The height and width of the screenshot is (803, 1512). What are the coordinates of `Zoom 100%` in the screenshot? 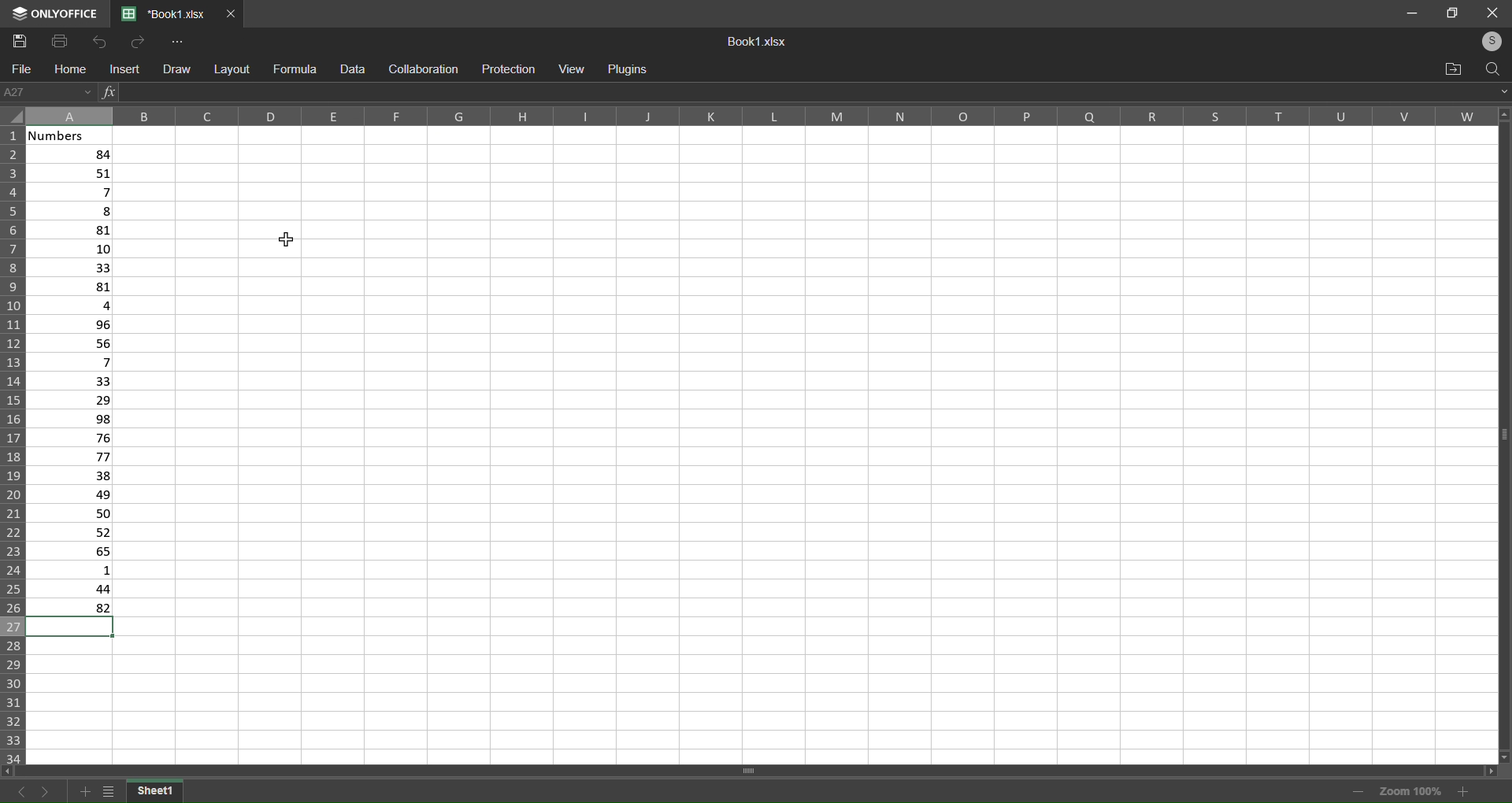 It's located at (1410, 790).